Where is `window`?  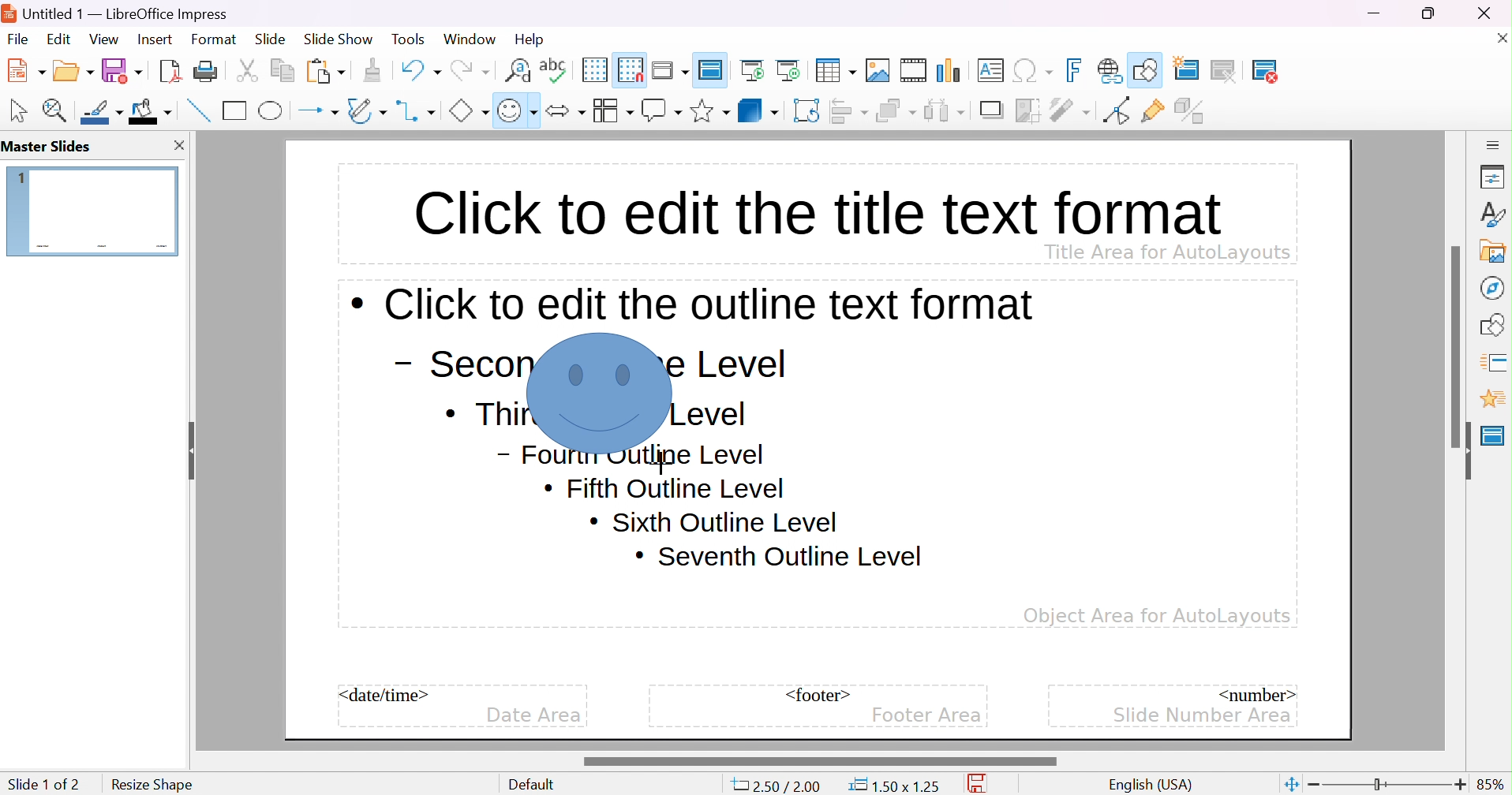
window is located at coordinates (469, 39).